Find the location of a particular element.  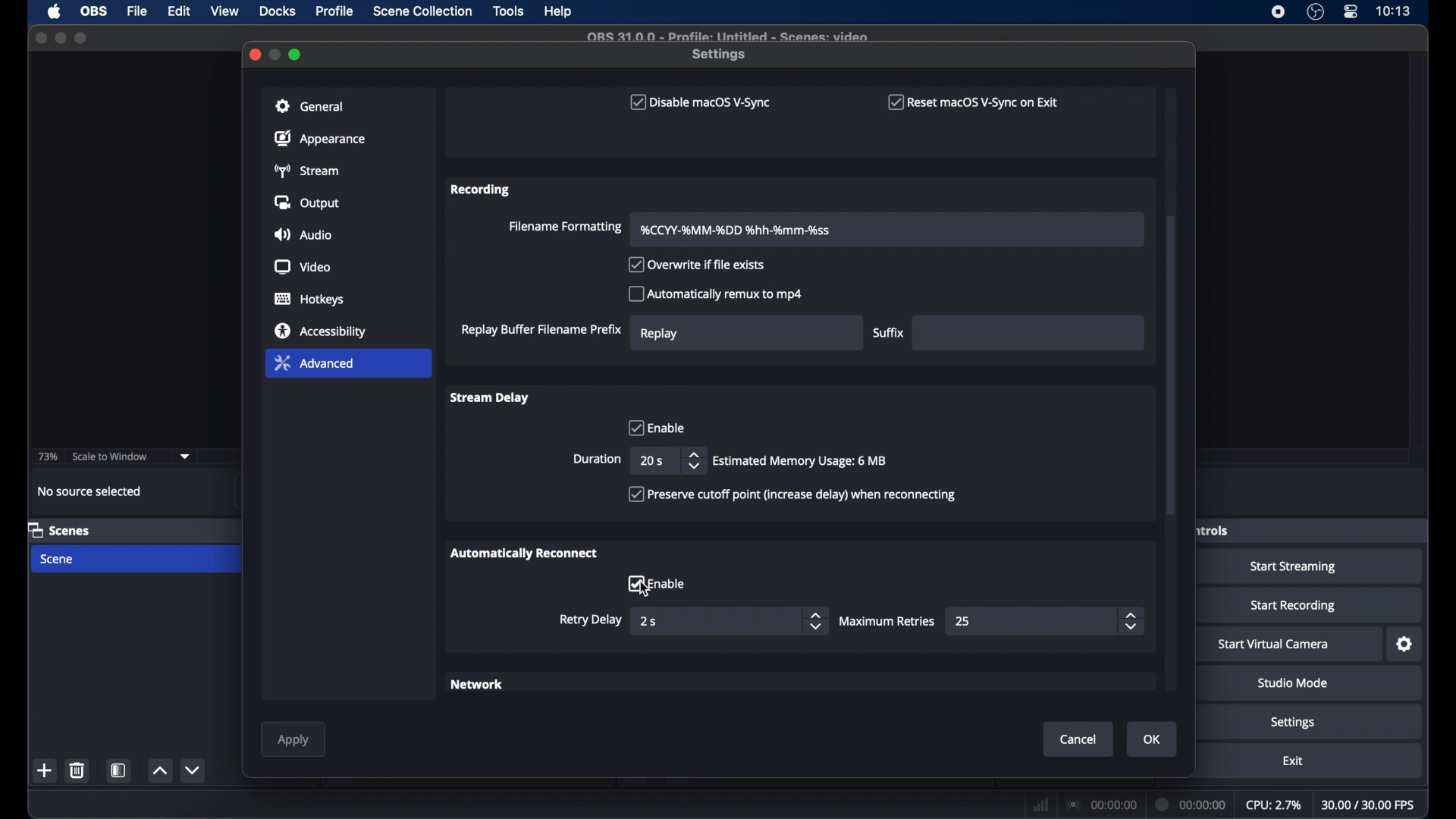

connection is located at coordinates (1100, 804).